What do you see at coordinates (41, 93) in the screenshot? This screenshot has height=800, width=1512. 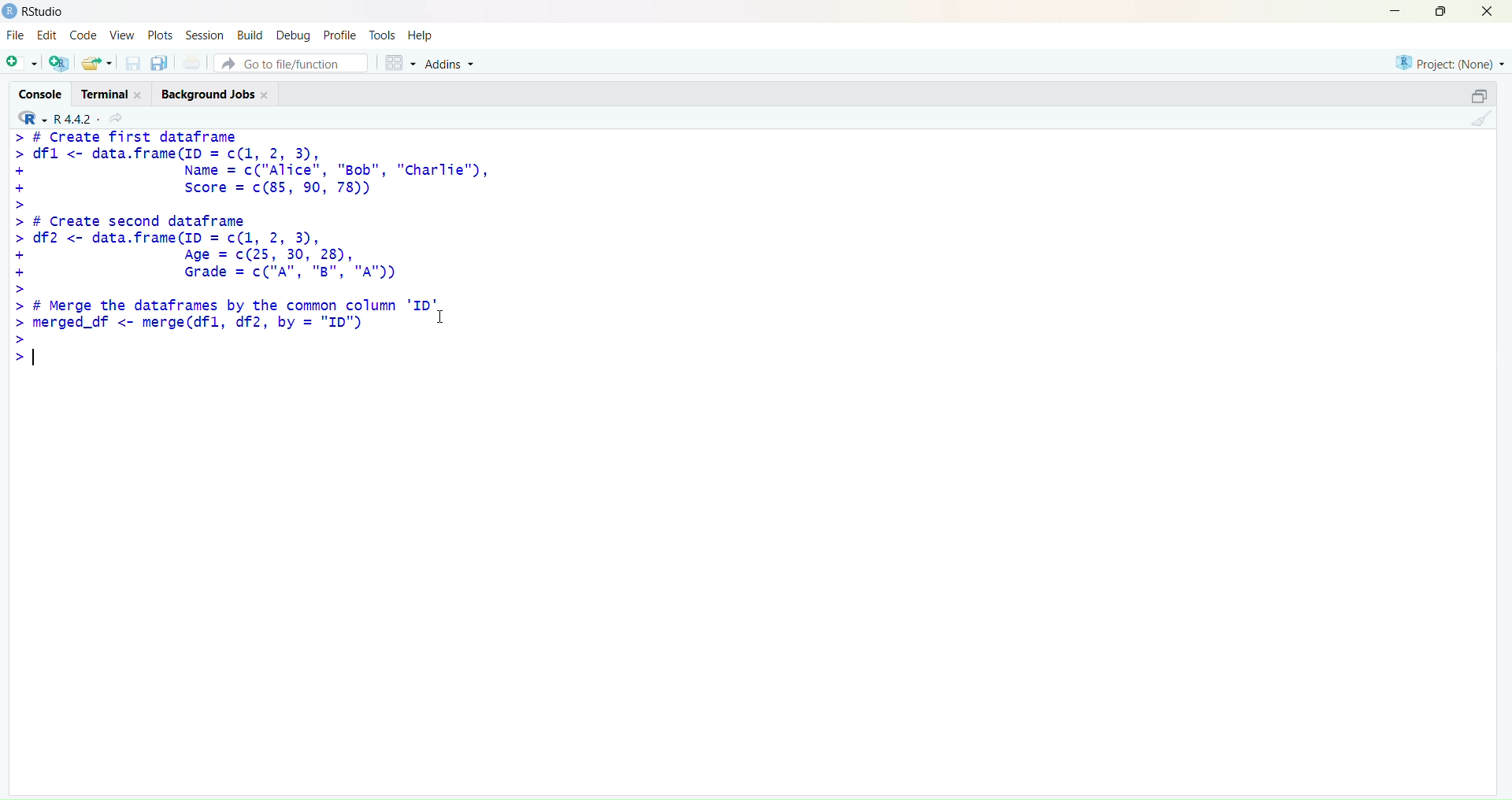 I see `Console` at bounding box center [41, 93].